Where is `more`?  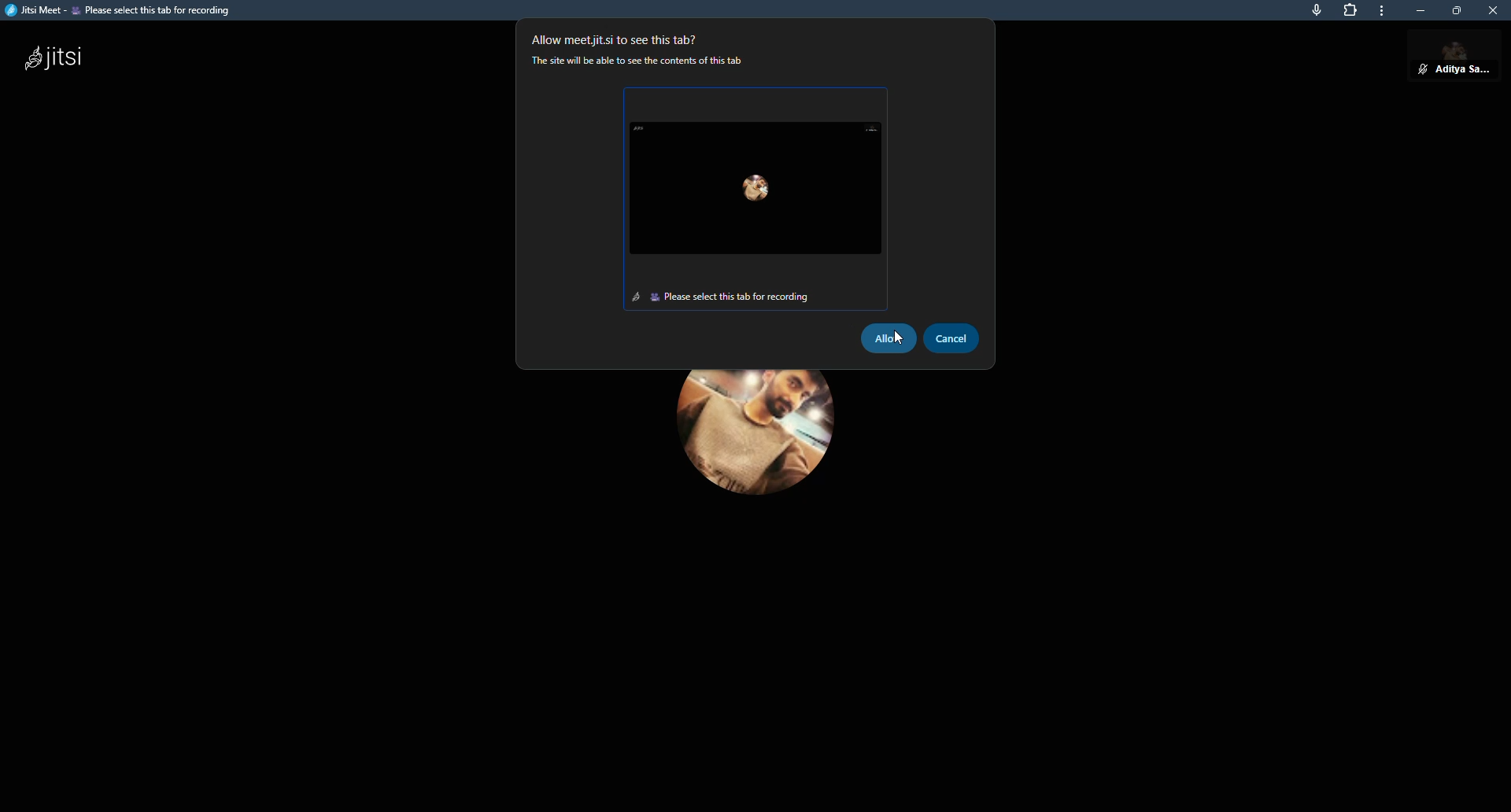
more is located at coordinates (1380, 13).